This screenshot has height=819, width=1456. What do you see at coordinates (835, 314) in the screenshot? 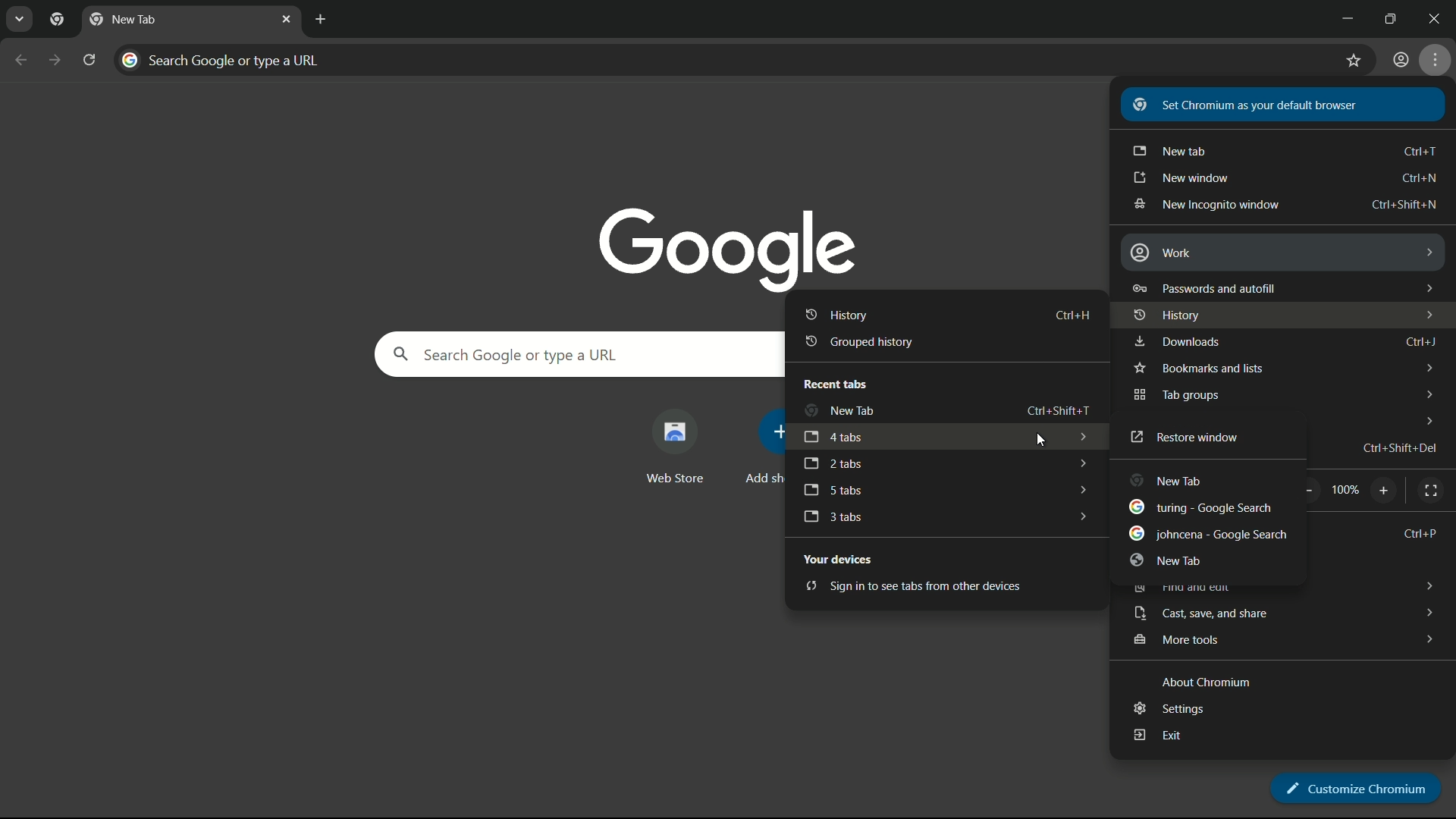
I see `history` at bounding box center [835, 314].